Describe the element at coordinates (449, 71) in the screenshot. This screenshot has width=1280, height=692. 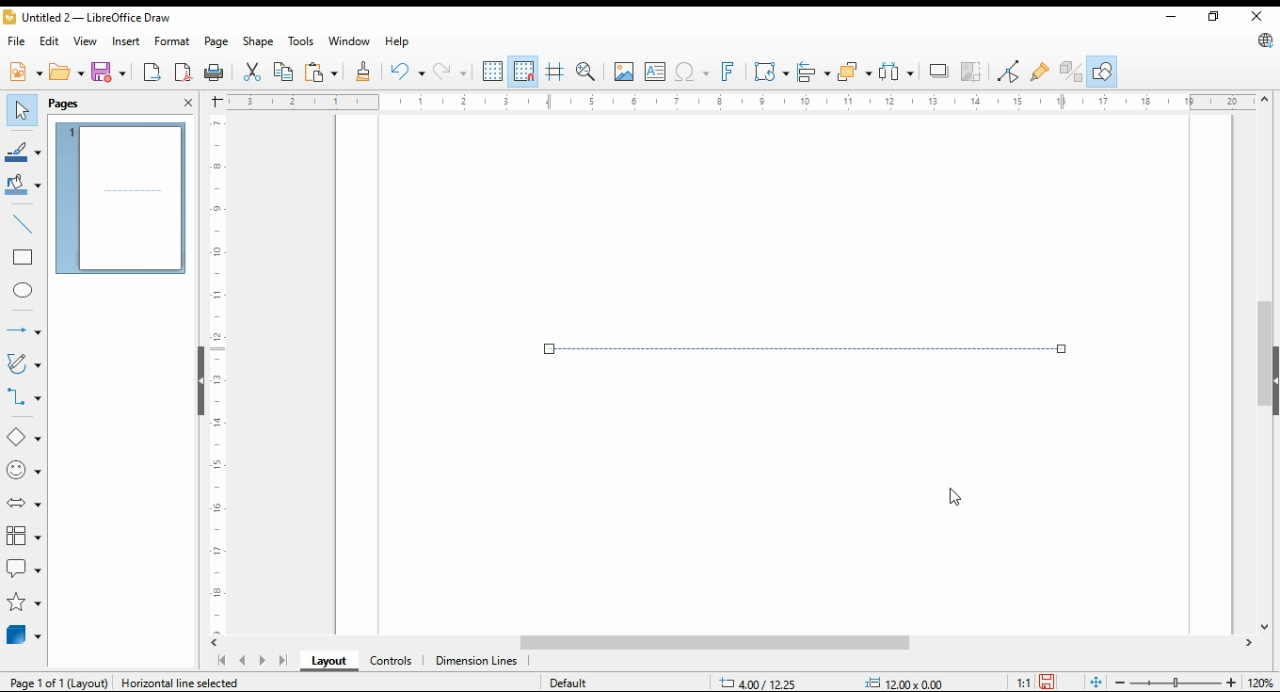
I see `redo` at that location.